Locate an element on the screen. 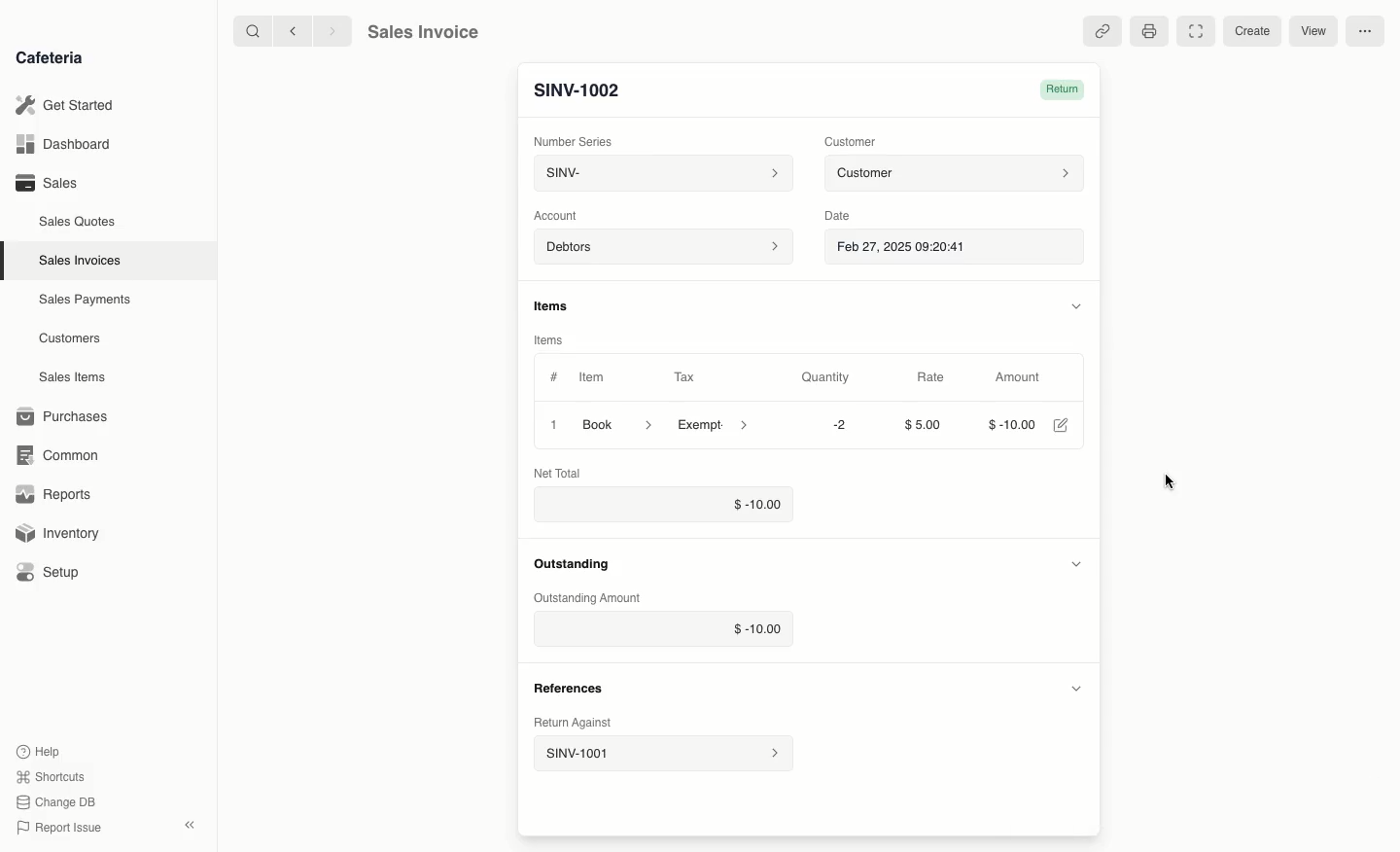 This screenshot has height=852, width=1400. Debtors  is located at coordinates (663, 248).